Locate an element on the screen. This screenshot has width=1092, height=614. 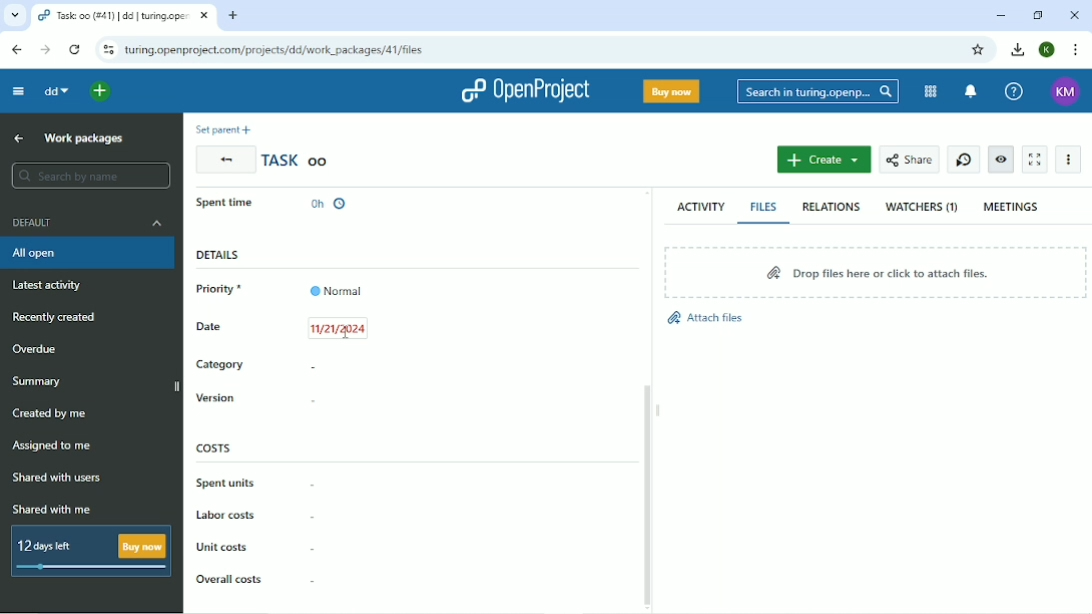
Close is located at coordinates (1073, 15).